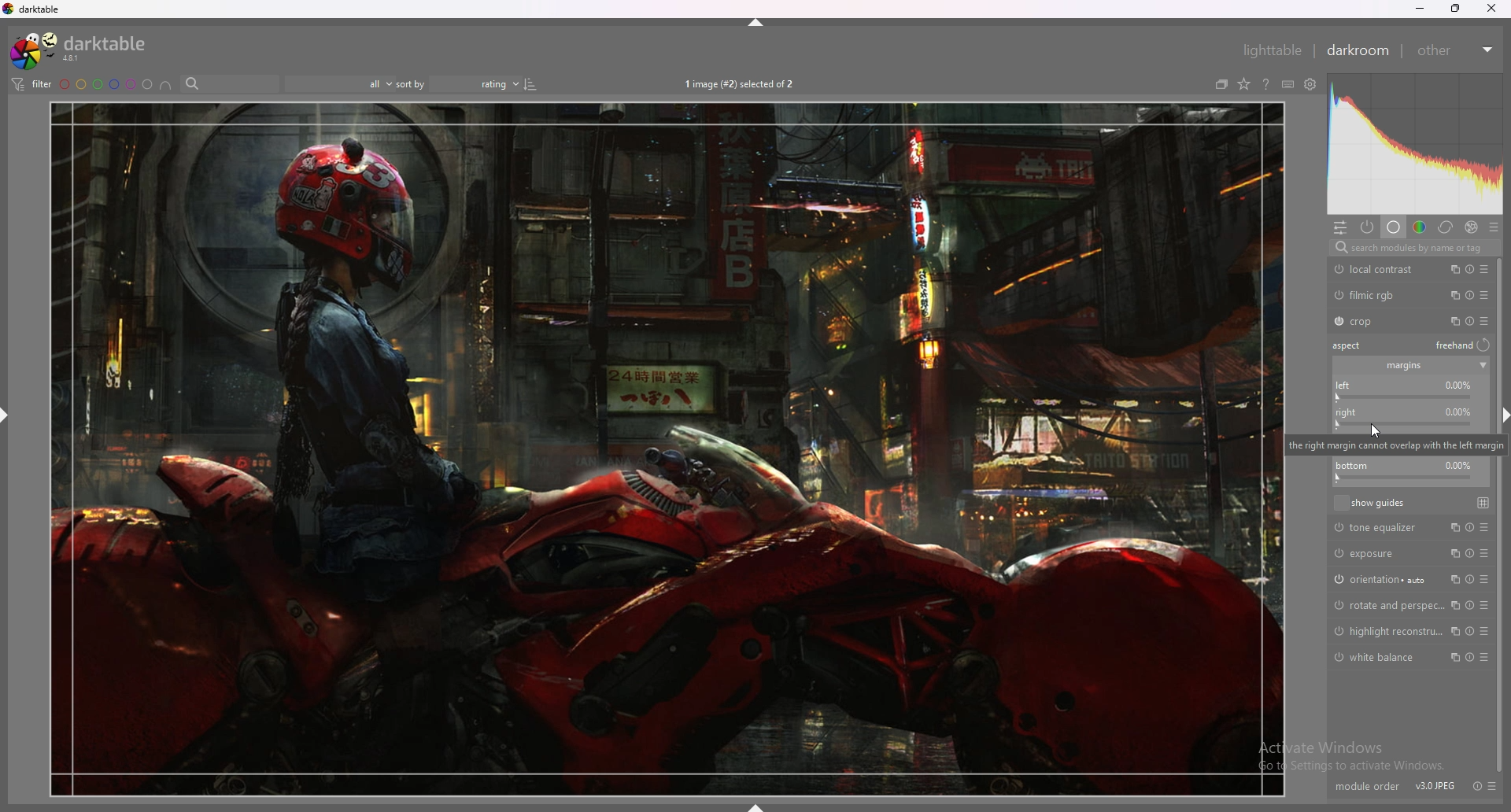 The height and width of the screenshot is (812, 1511). What do you see at coordinates (1471, 269) in the screenshot?
I see `reset` at bounding box center [1471, 269].